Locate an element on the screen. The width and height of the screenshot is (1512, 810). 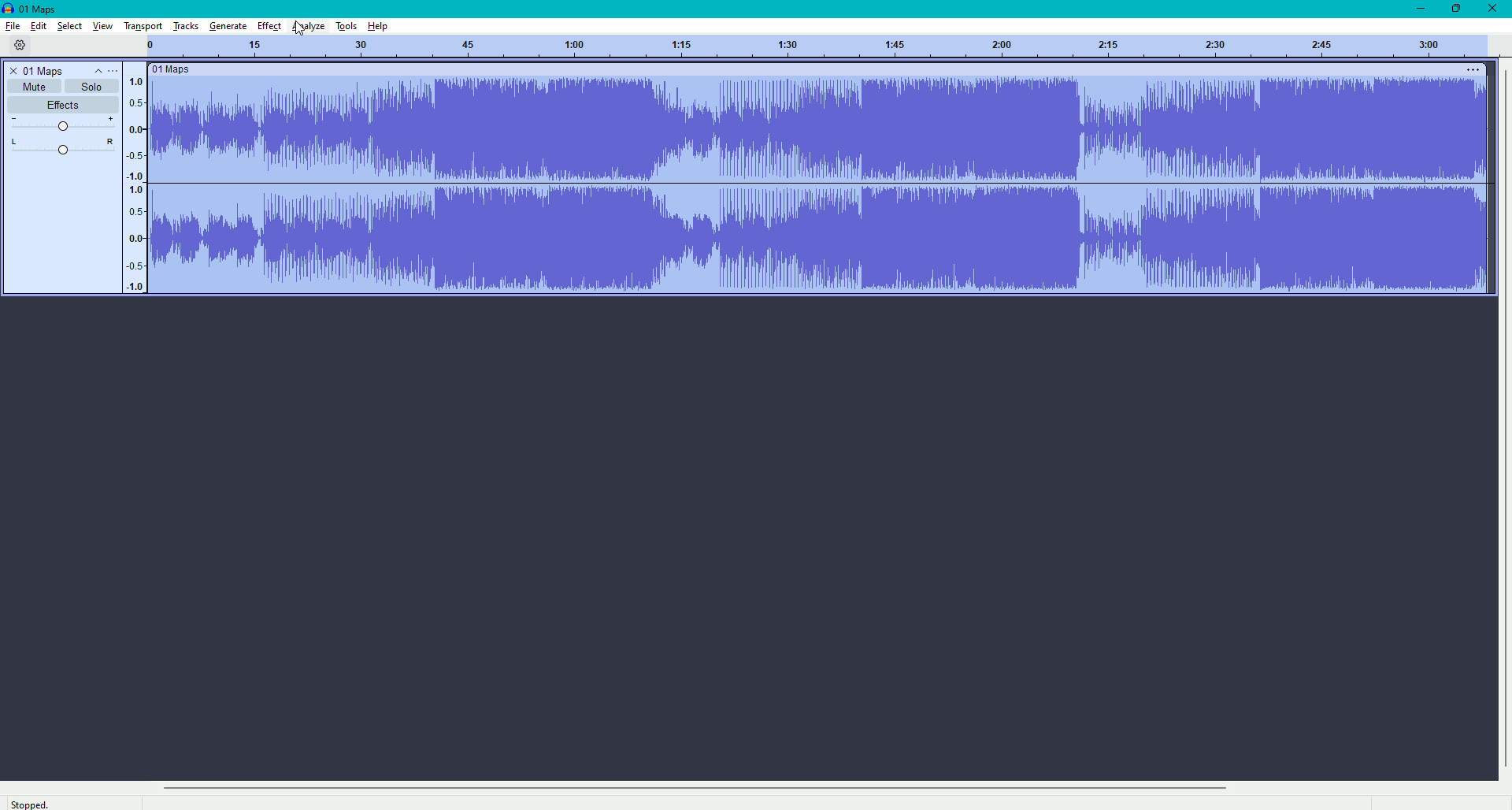
Tracks is located at coordinates (183, 25).